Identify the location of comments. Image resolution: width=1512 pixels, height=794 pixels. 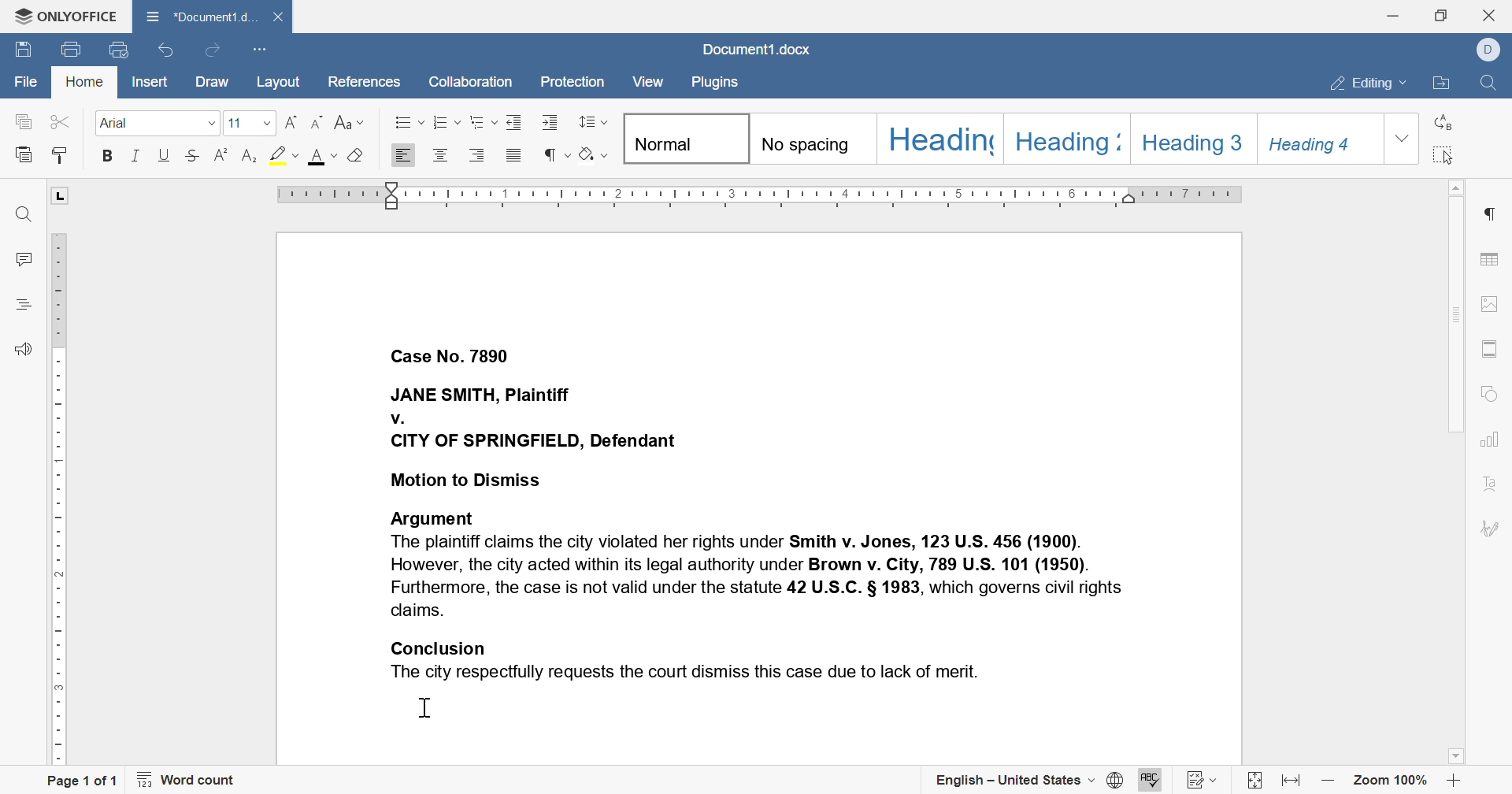
(22, 259).